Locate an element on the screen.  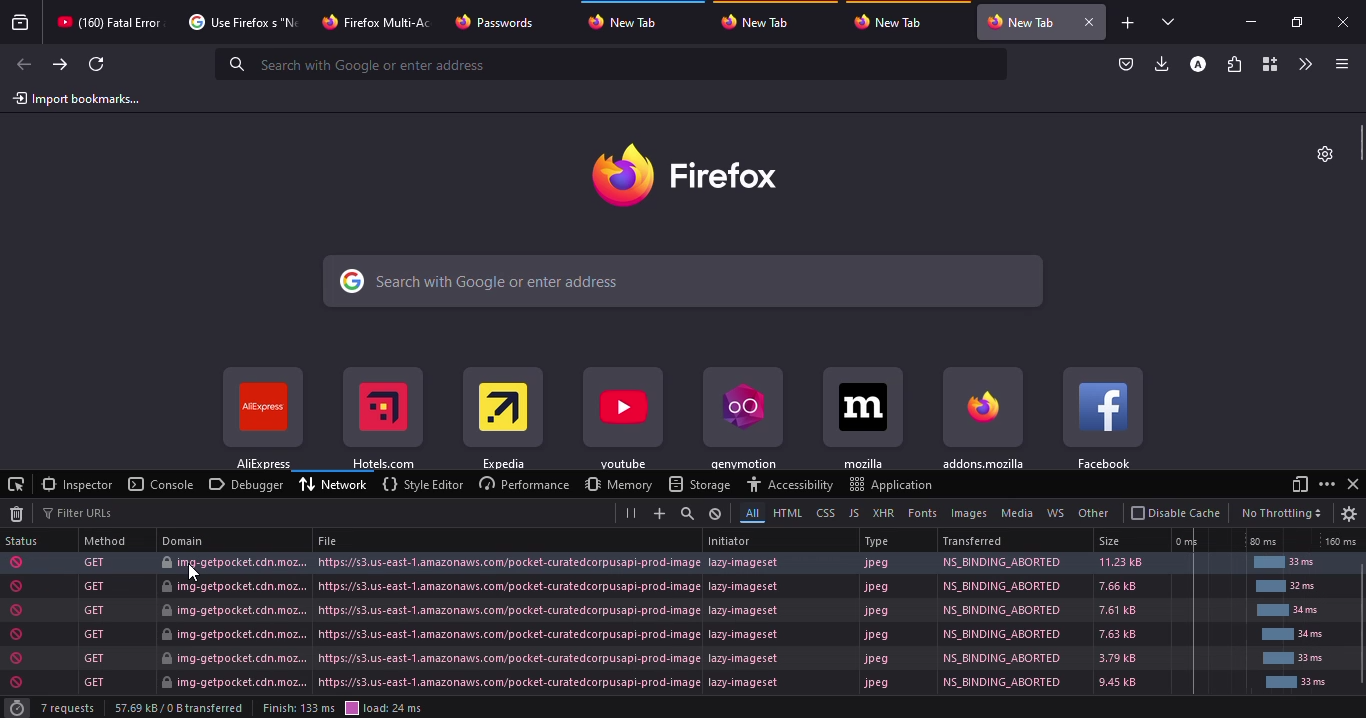
storage is located at coordinates (699, 484).